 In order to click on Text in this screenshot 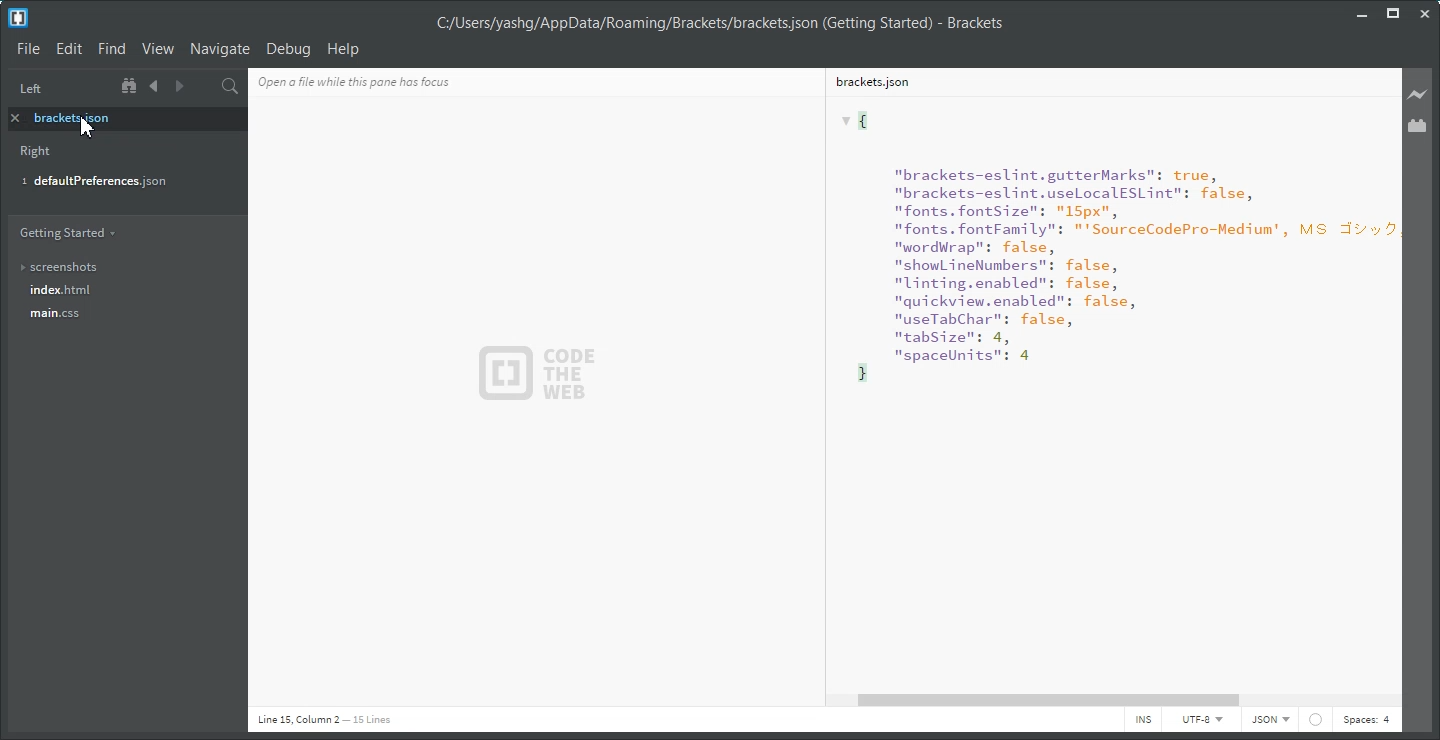, I will do `click(719, 24)`.